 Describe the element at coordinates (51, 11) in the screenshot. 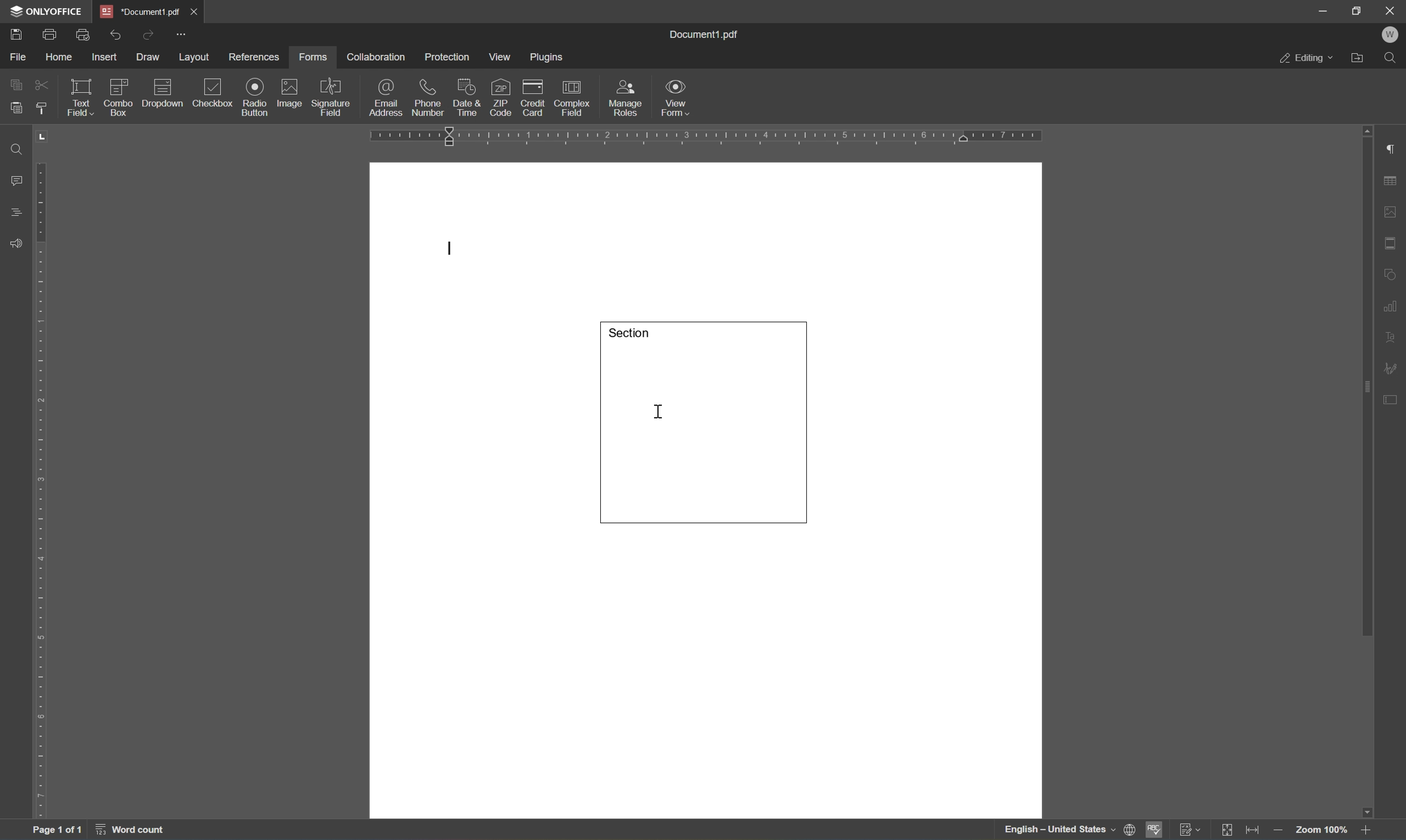

I see `ONLYOFFICE` at that location.